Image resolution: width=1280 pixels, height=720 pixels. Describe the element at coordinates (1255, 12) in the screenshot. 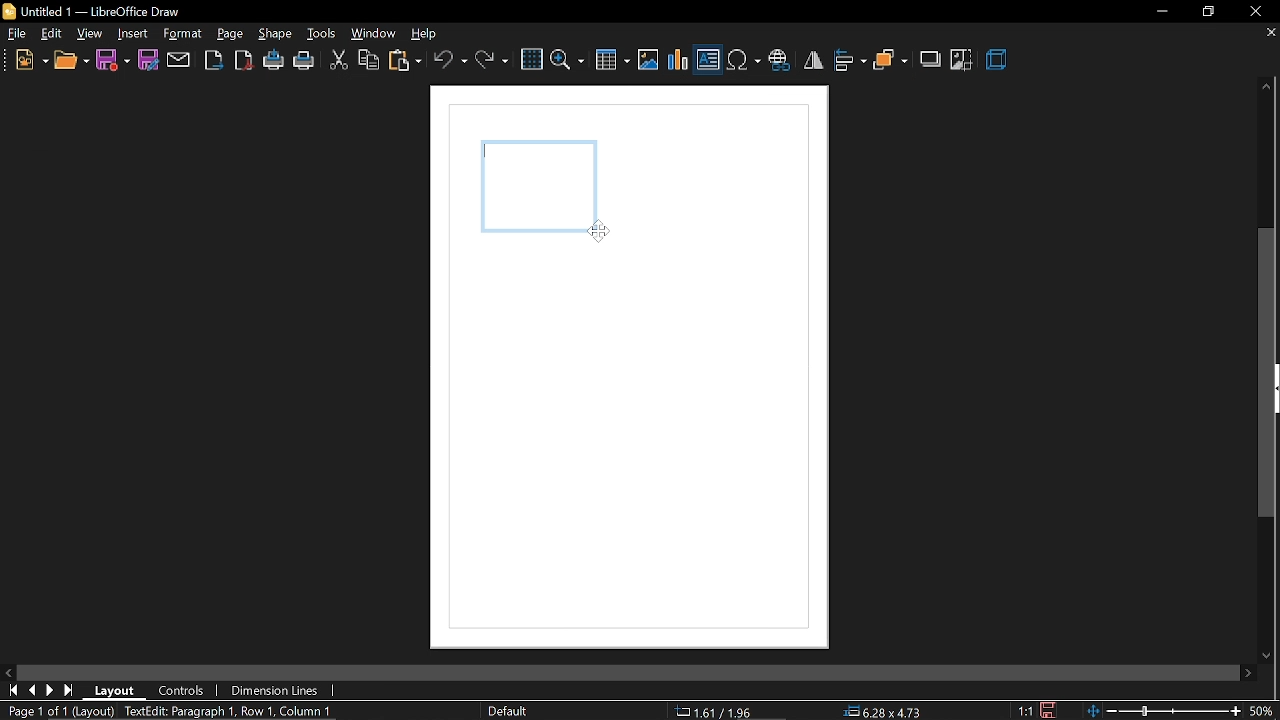

I see `close` at that location.